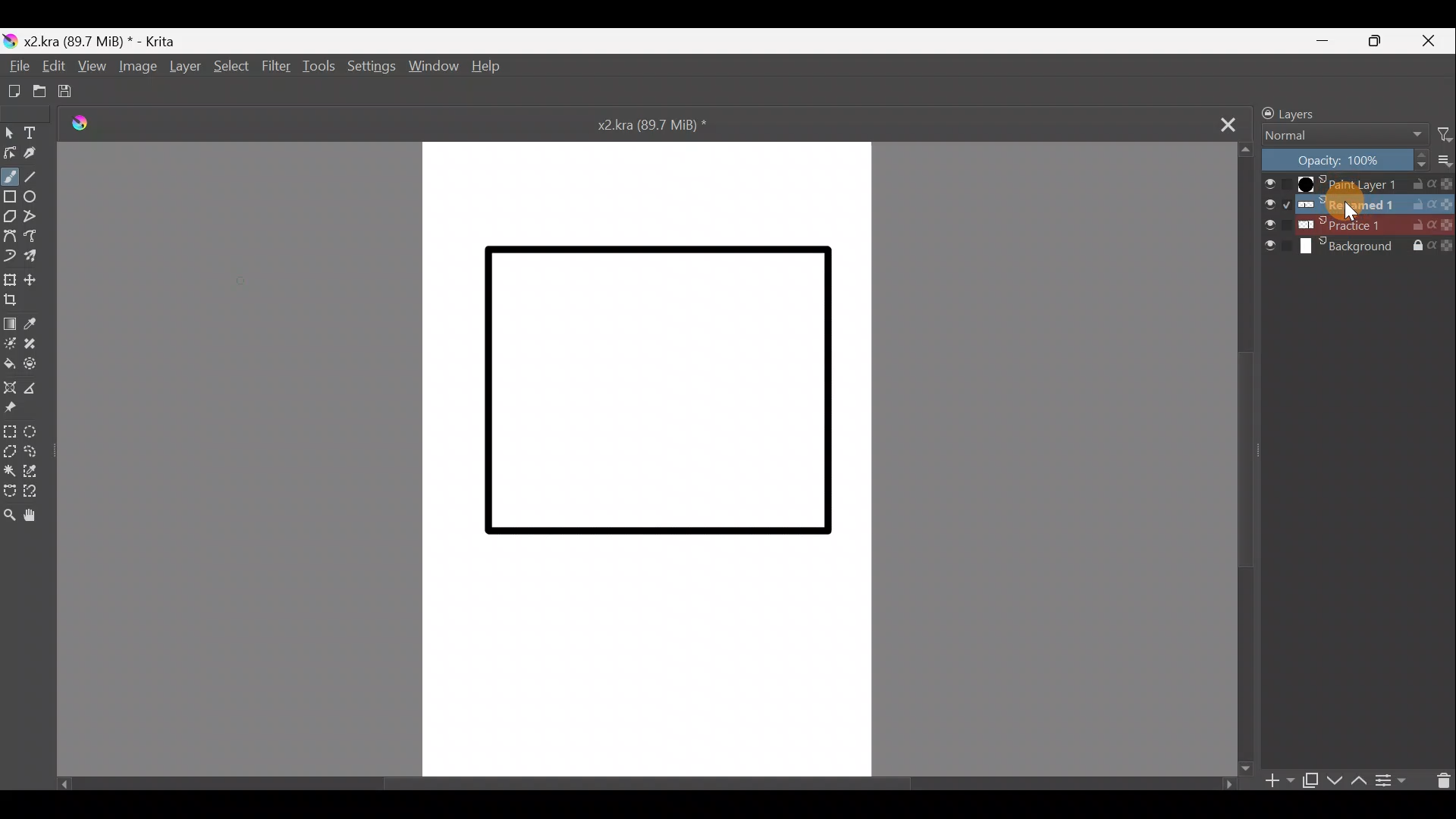 Image resolution: width=1456 pixels, height=819 pixels. I want to click on Lock/unlock, so click(1263, 113).